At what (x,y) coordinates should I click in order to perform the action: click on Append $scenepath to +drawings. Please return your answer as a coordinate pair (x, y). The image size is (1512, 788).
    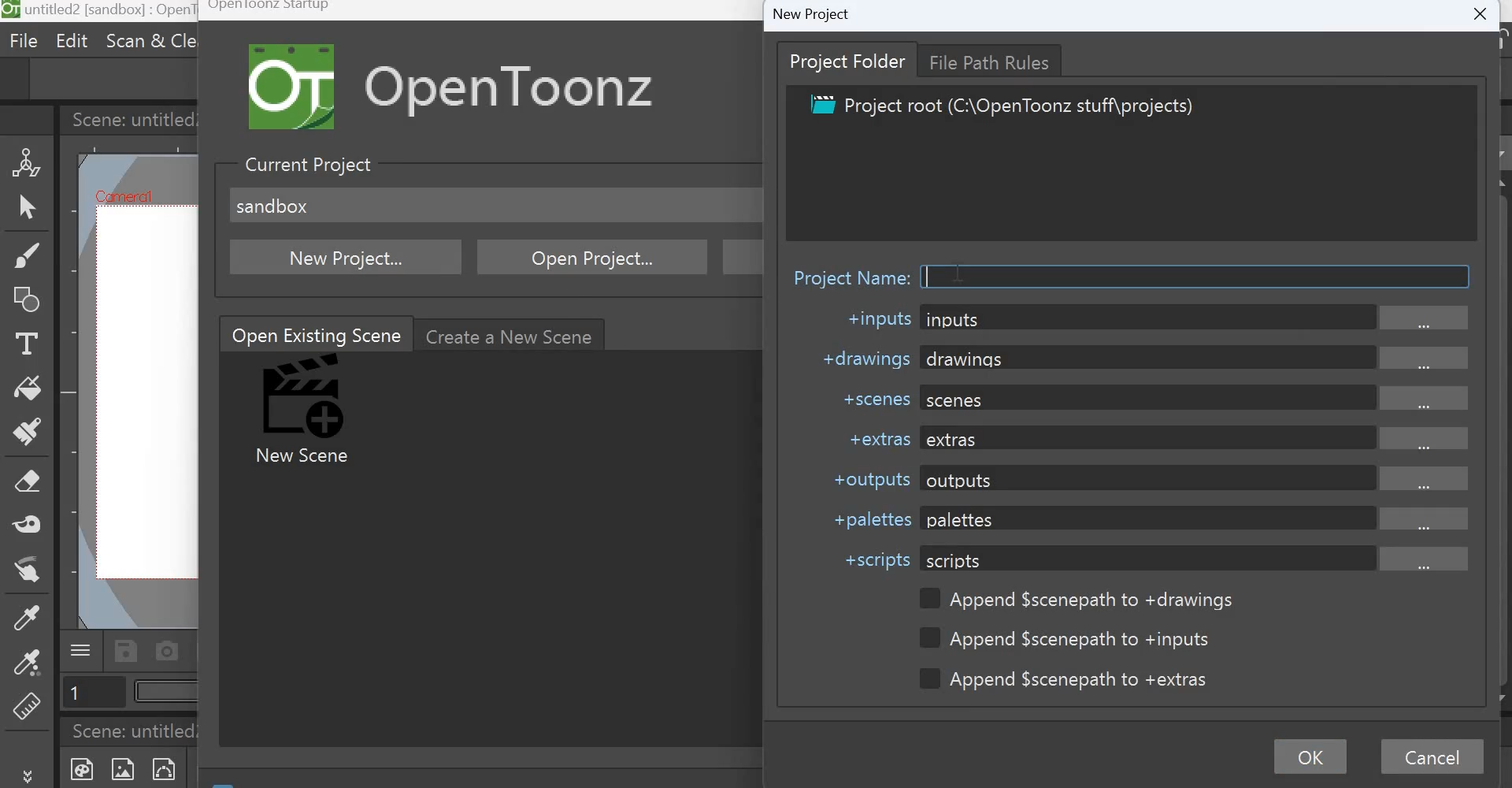
    Looking at the image, I should click on (1077, 600).